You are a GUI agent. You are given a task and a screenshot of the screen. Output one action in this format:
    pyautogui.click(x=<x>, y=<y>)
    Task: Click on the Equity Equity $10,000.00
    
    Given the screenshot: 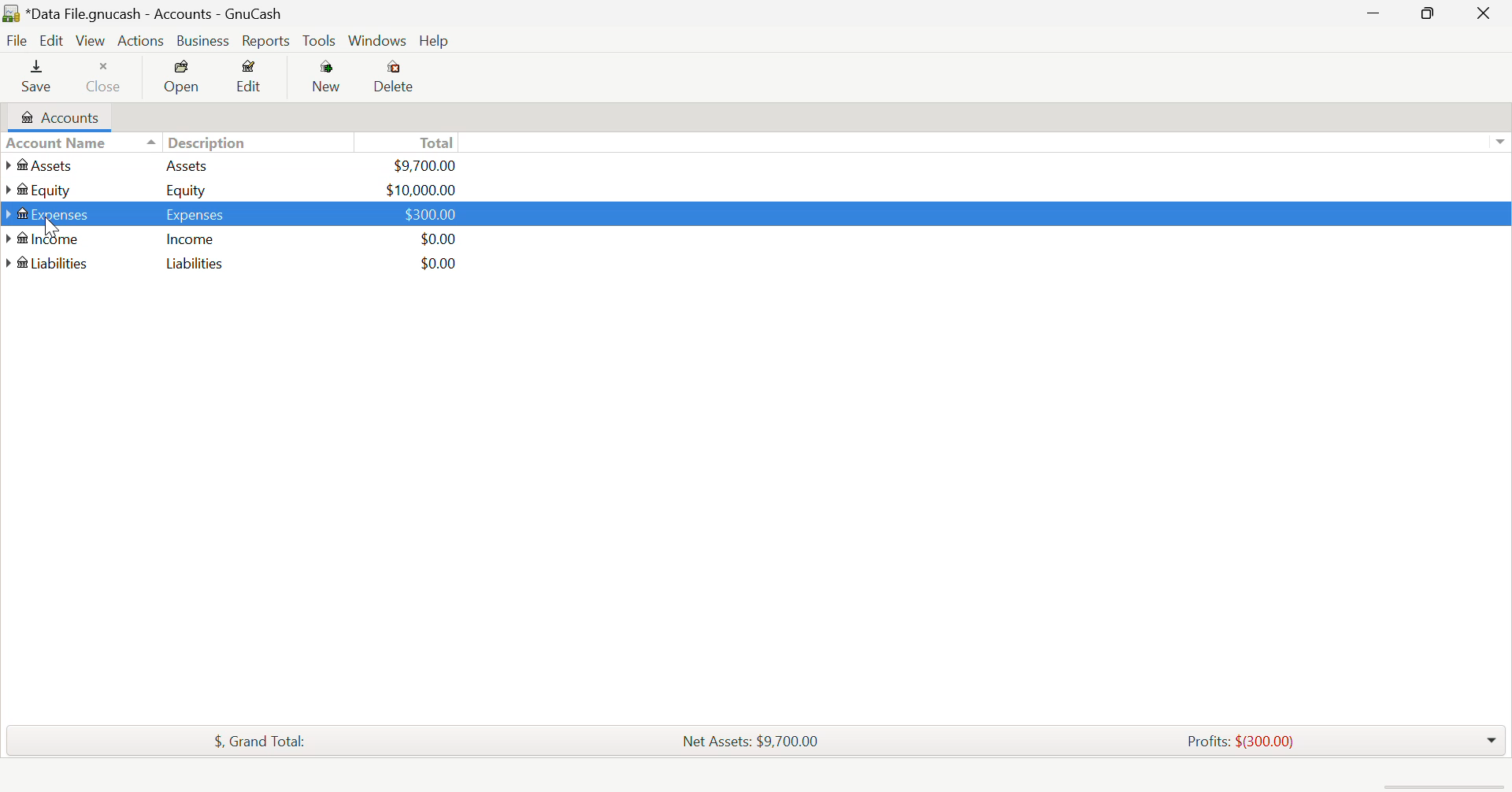 What is the action you would take?
    pyautogui.click(x=232, y=188)
    